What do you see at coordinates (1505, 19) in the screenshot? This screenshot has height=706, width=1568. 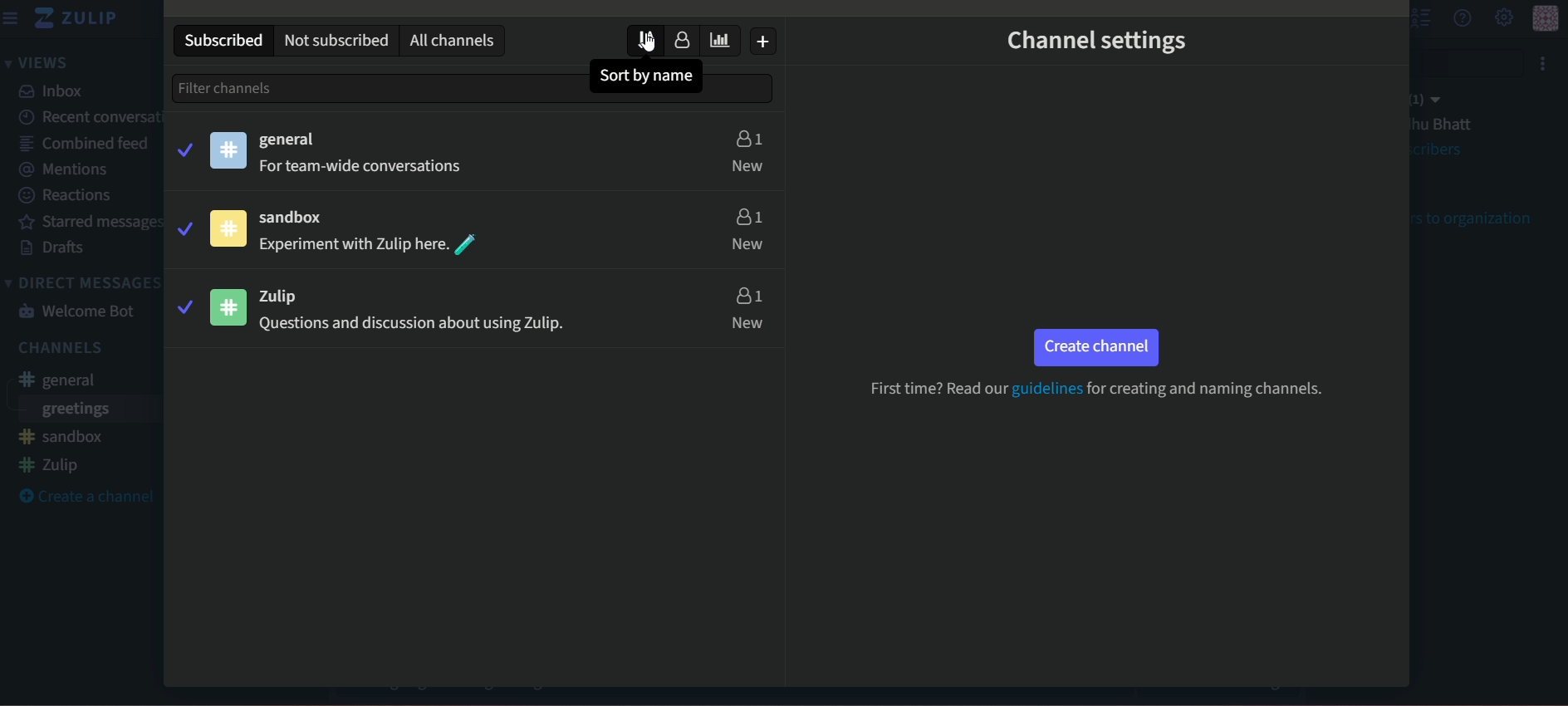 I see `settings` at bounding box center [1505, 19].